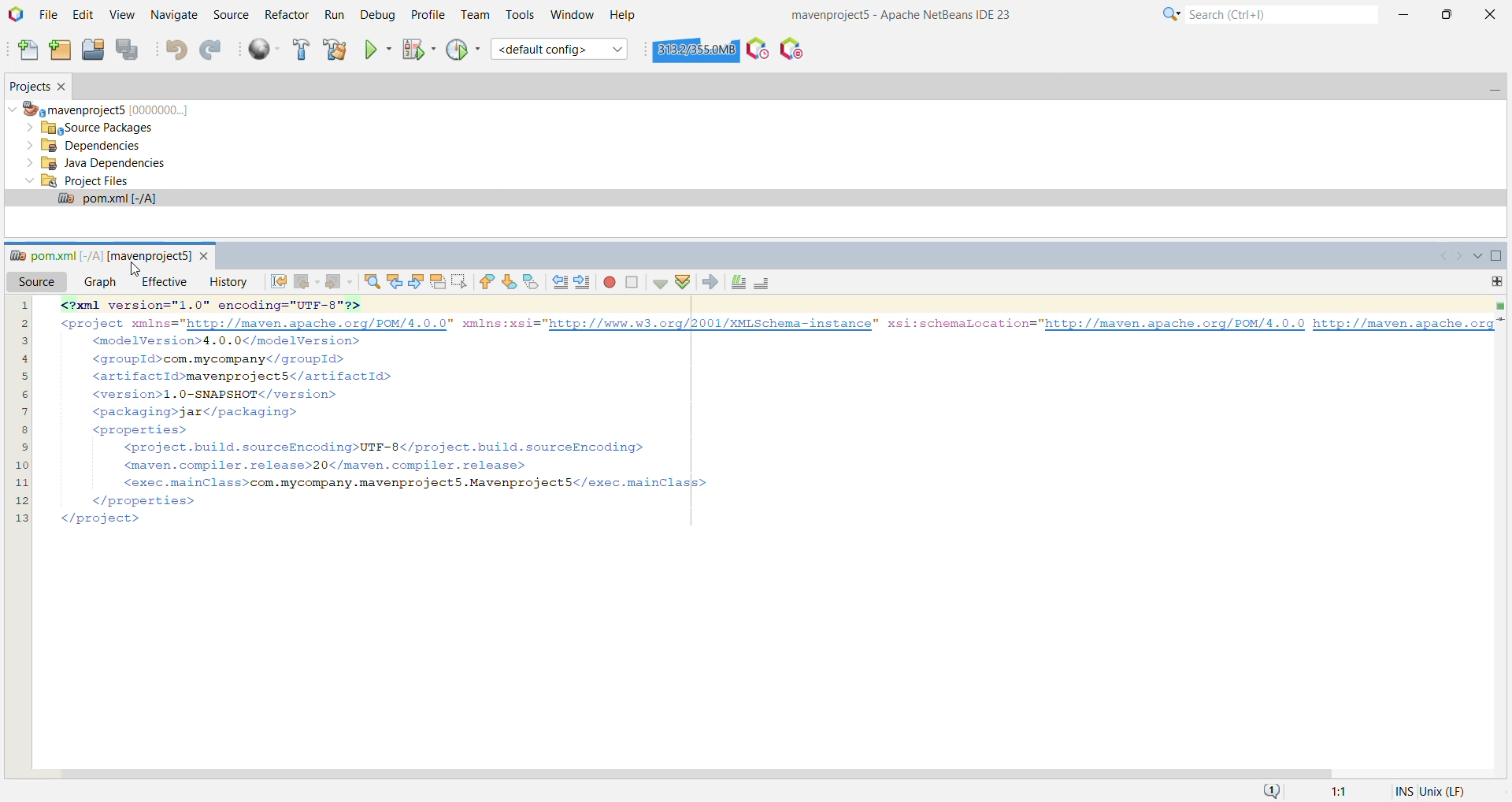  I want to click on Minimize Projects Window, so click(1492, 87).